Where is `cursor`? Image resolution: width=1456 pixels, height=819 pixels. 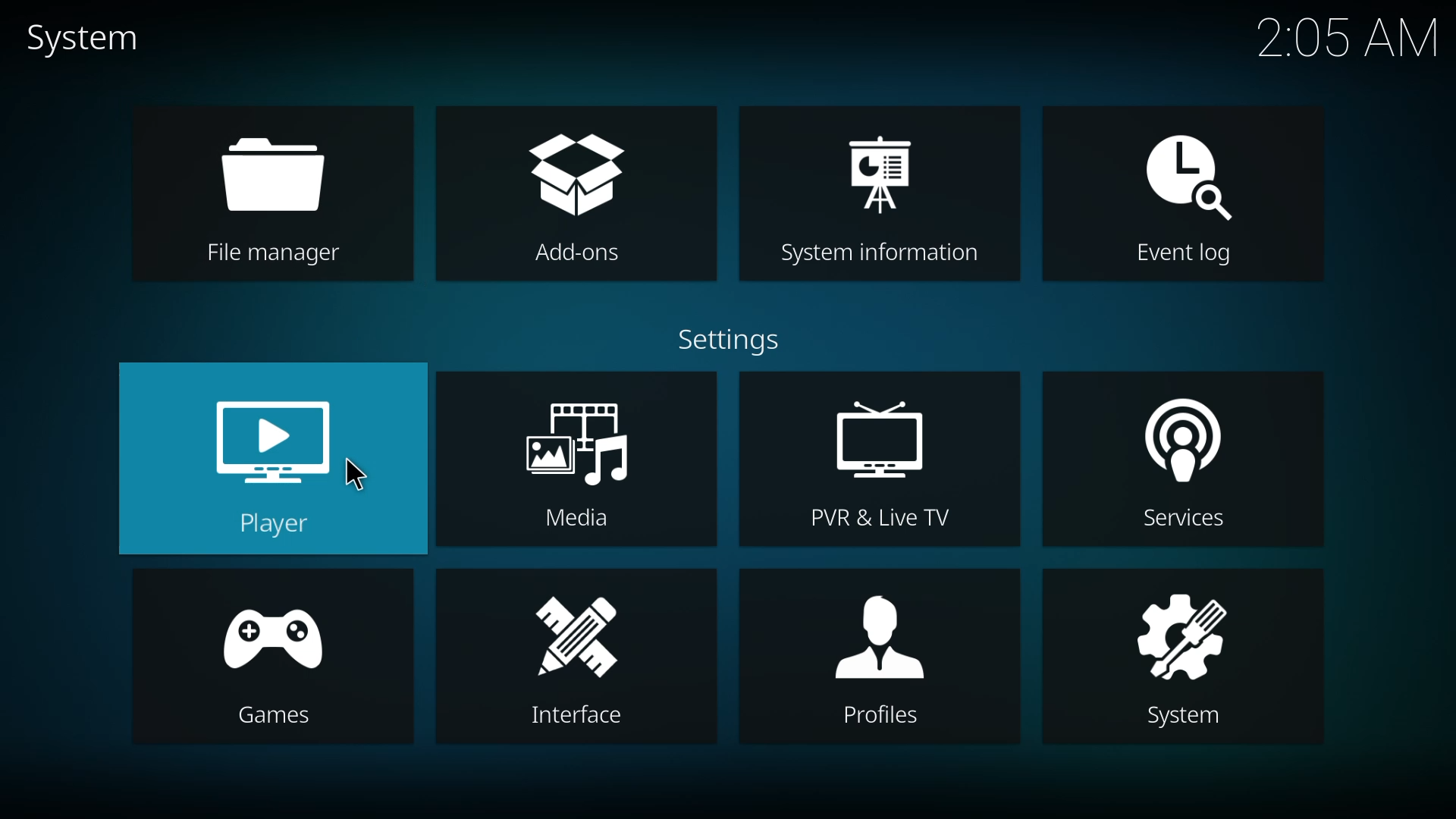 cursor is located at coordinates (353, 477).